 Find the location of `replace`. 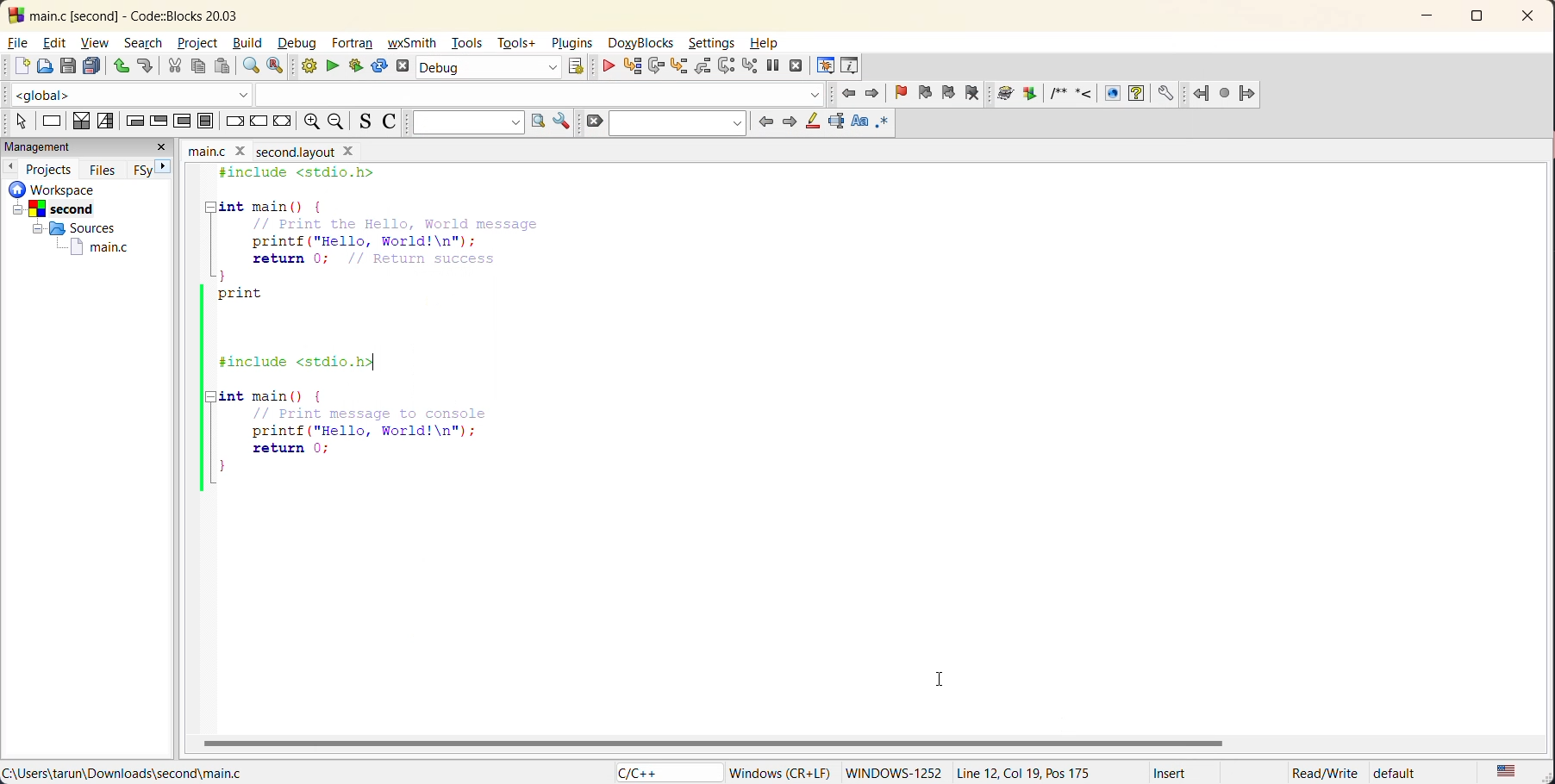

replace is located at coordinates (279, 66).